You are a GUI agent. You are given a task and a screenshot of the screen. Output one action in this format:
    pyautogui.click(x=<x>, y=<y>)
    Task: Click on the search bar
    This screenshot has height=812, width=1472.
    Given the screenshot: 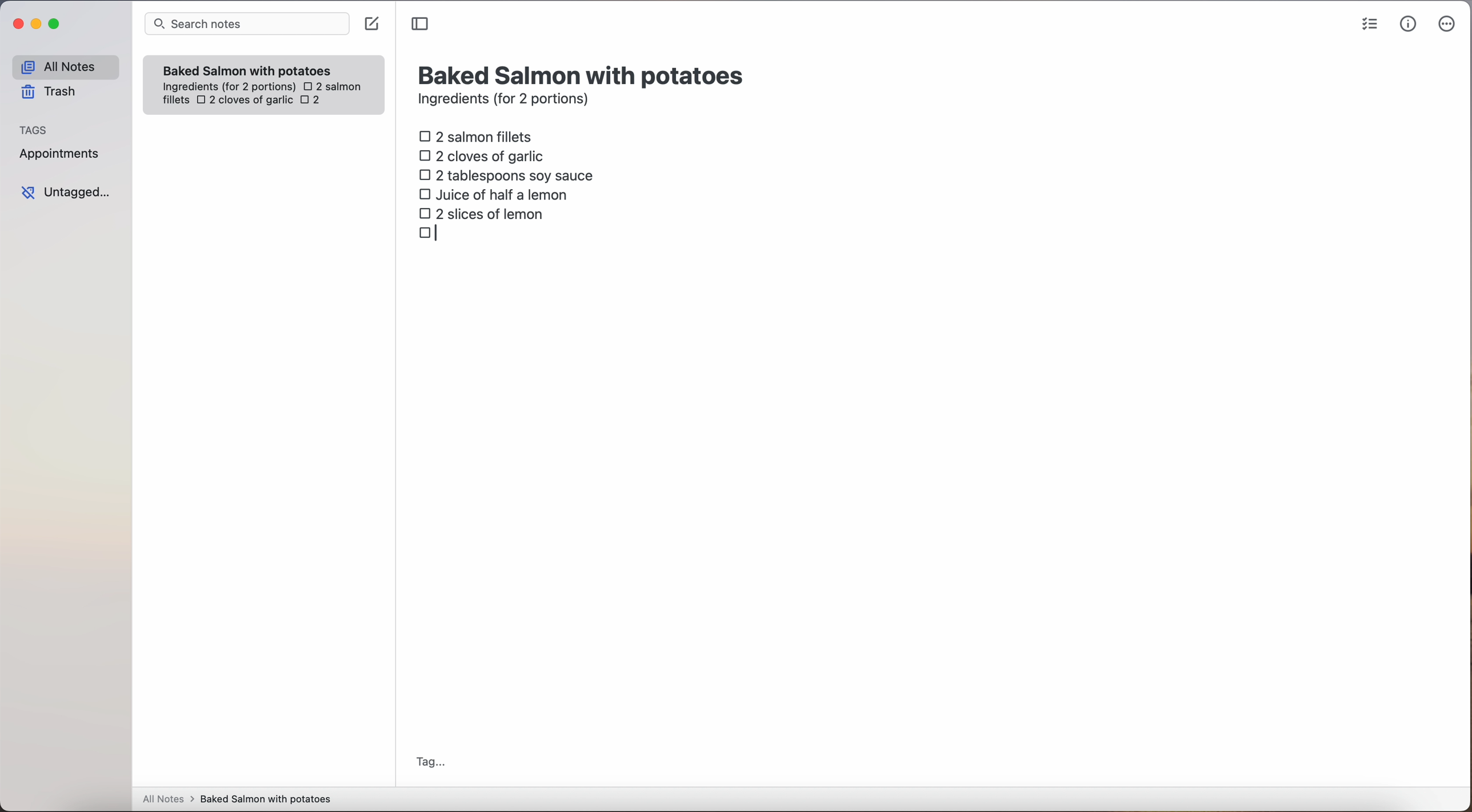 What is the action you would take?
    pyautogui.click(x=246, y=25)
    